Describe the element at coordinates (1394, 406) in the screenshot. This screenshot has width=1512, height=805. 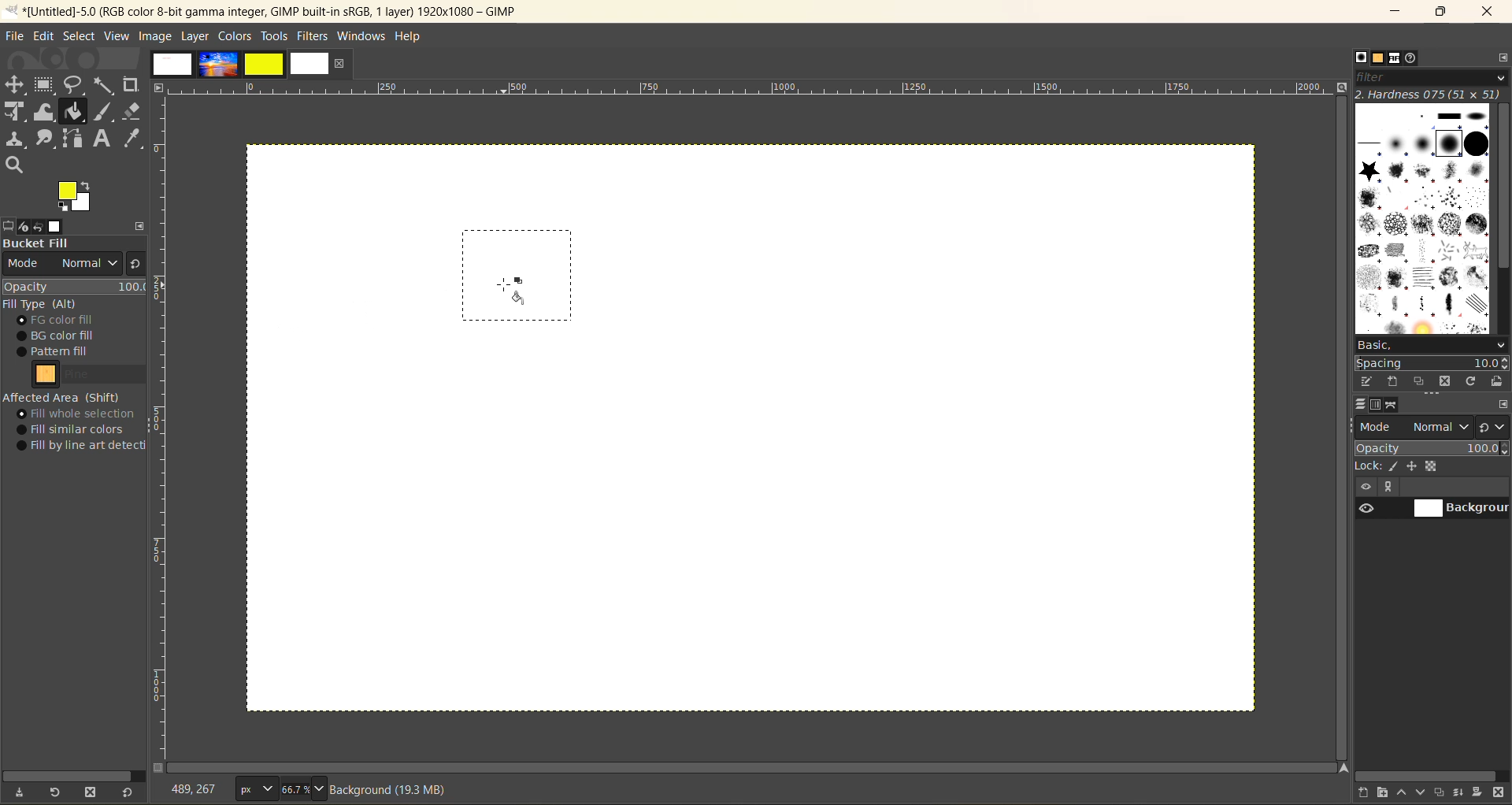
I see `paths` at that location.